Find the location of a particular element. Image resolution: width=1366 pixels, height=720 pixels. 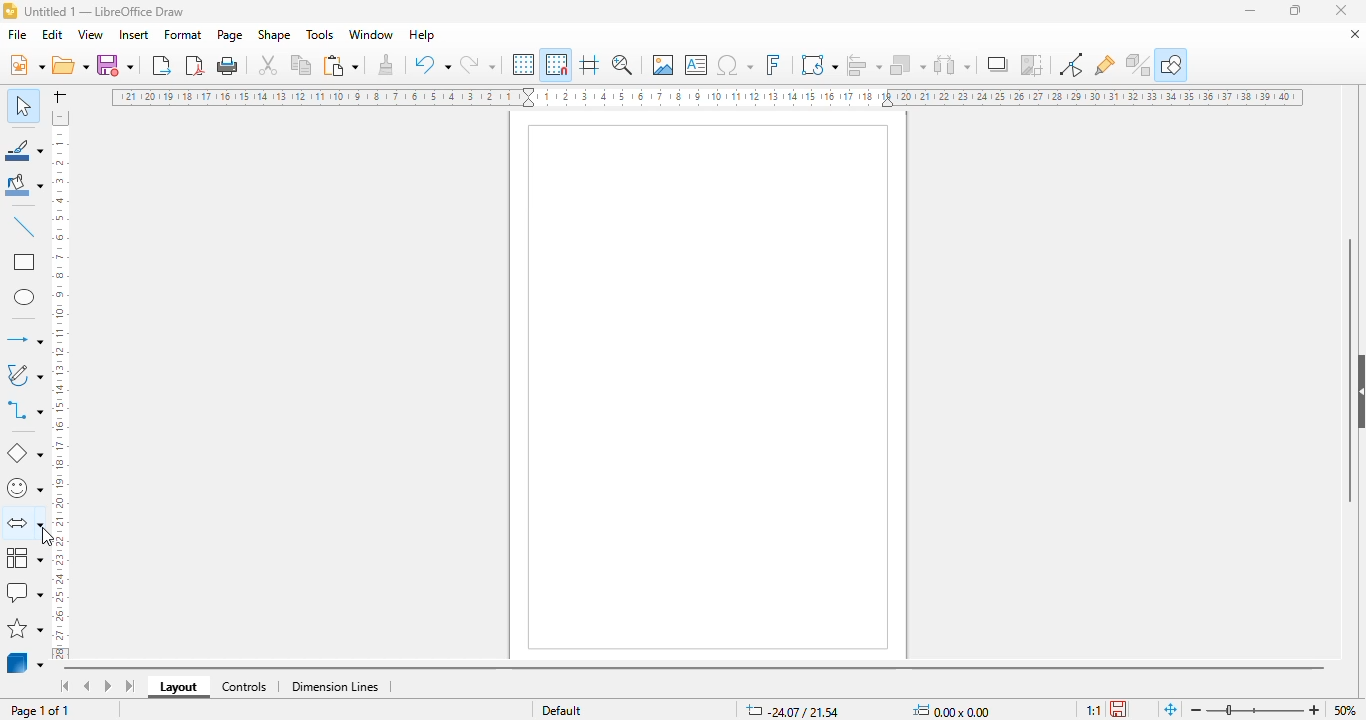

select is located at coordinates (22, 105).